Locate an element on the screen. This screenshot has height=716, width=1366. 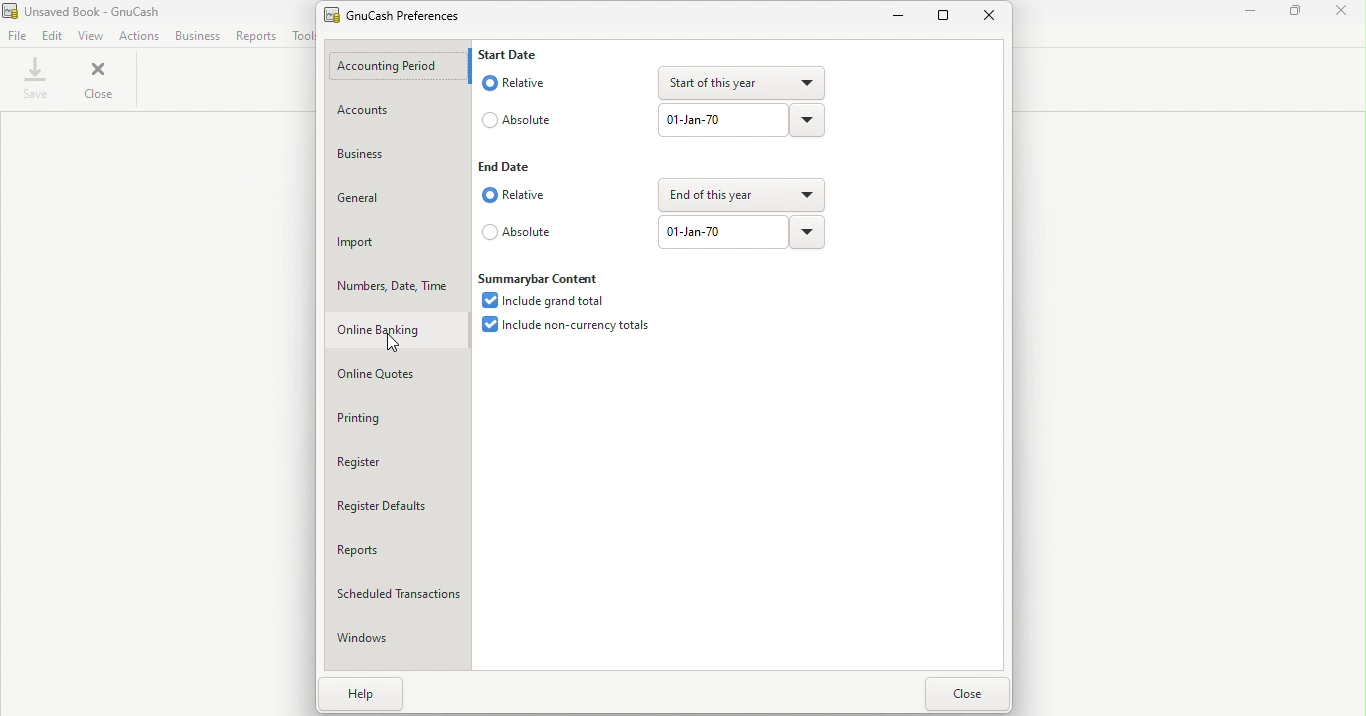
Relative is located at coordinates (518, 196).